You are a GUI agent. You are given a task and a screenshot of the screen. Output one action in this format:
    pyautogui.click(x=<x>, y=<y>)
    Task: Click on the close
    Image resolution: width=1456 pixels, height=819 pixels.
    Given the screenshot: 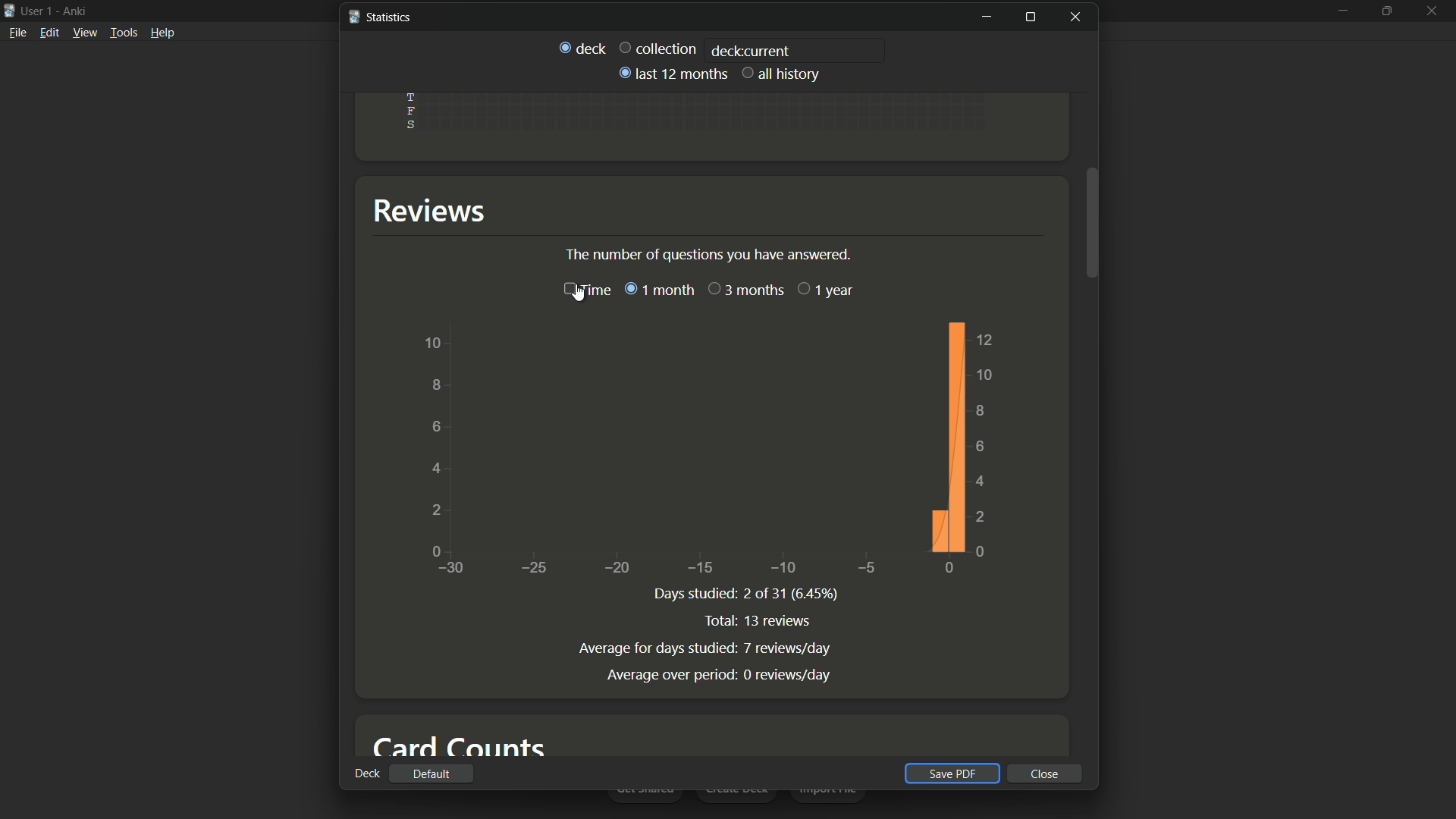 What is the action you would take?
    pyautogui.click(x=1045, y=773)
    